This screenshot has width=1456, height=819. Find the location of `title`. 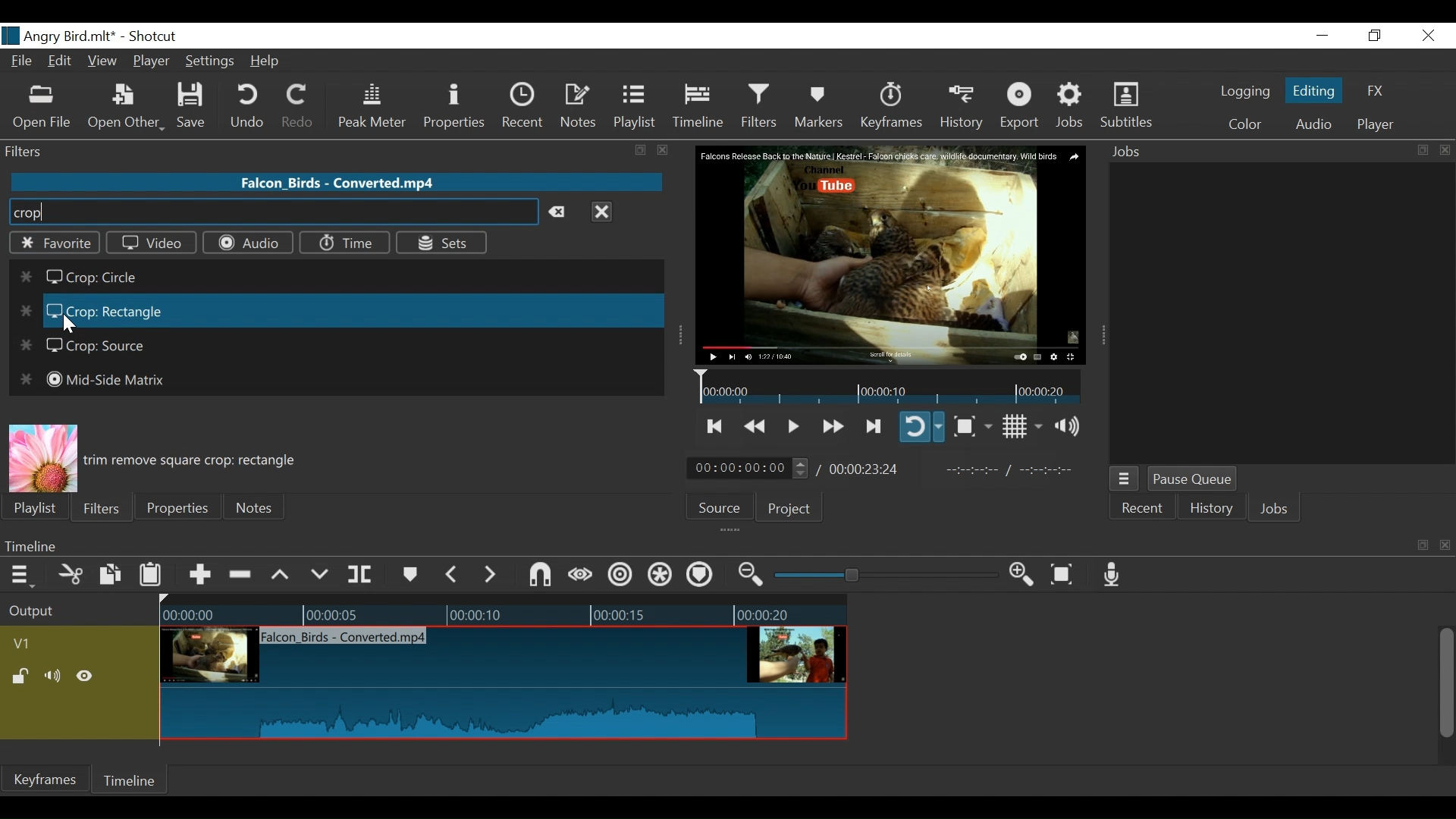

title is located at coordinates (112, 35).